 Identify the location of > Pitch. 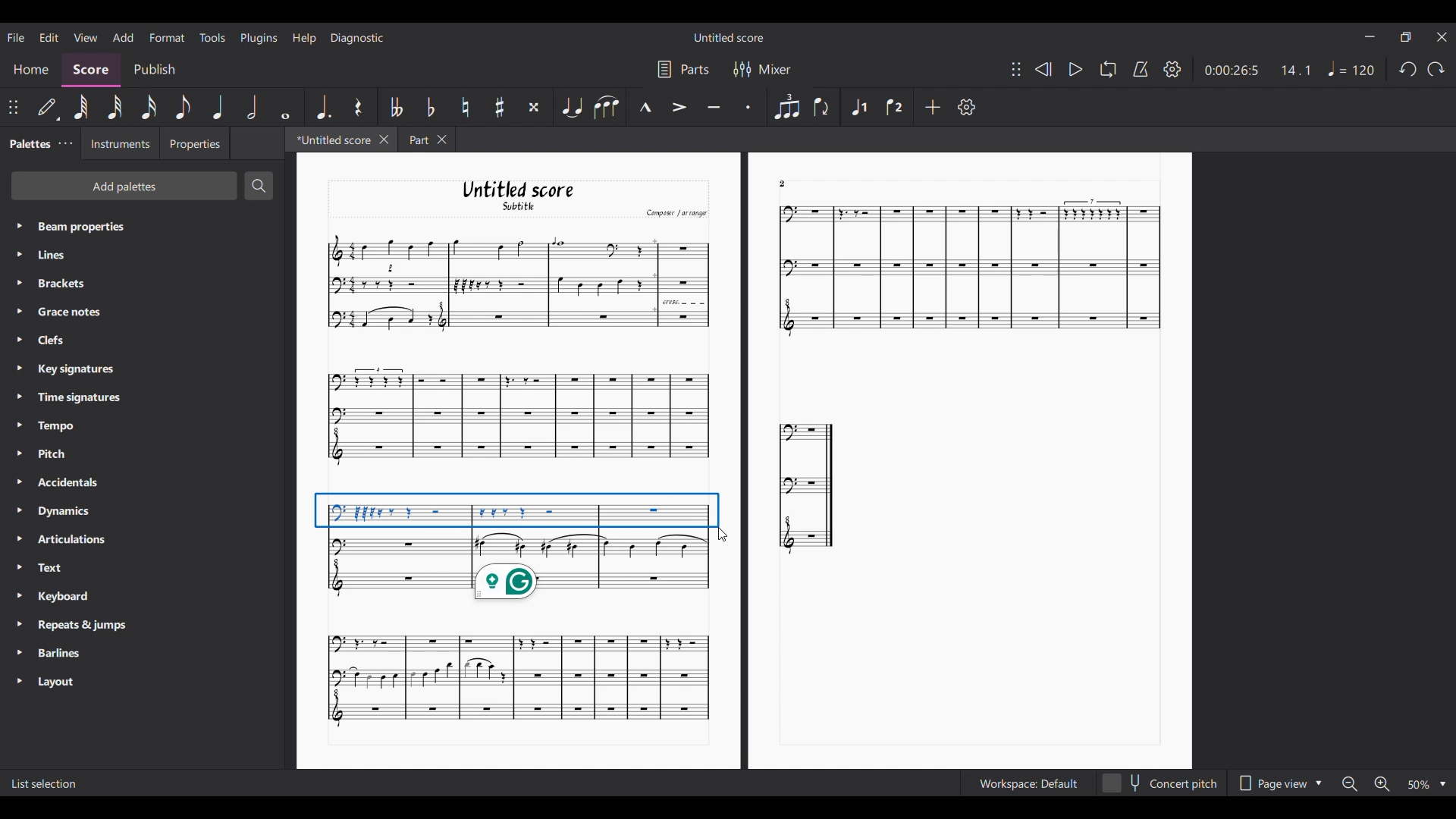
(52, 457).